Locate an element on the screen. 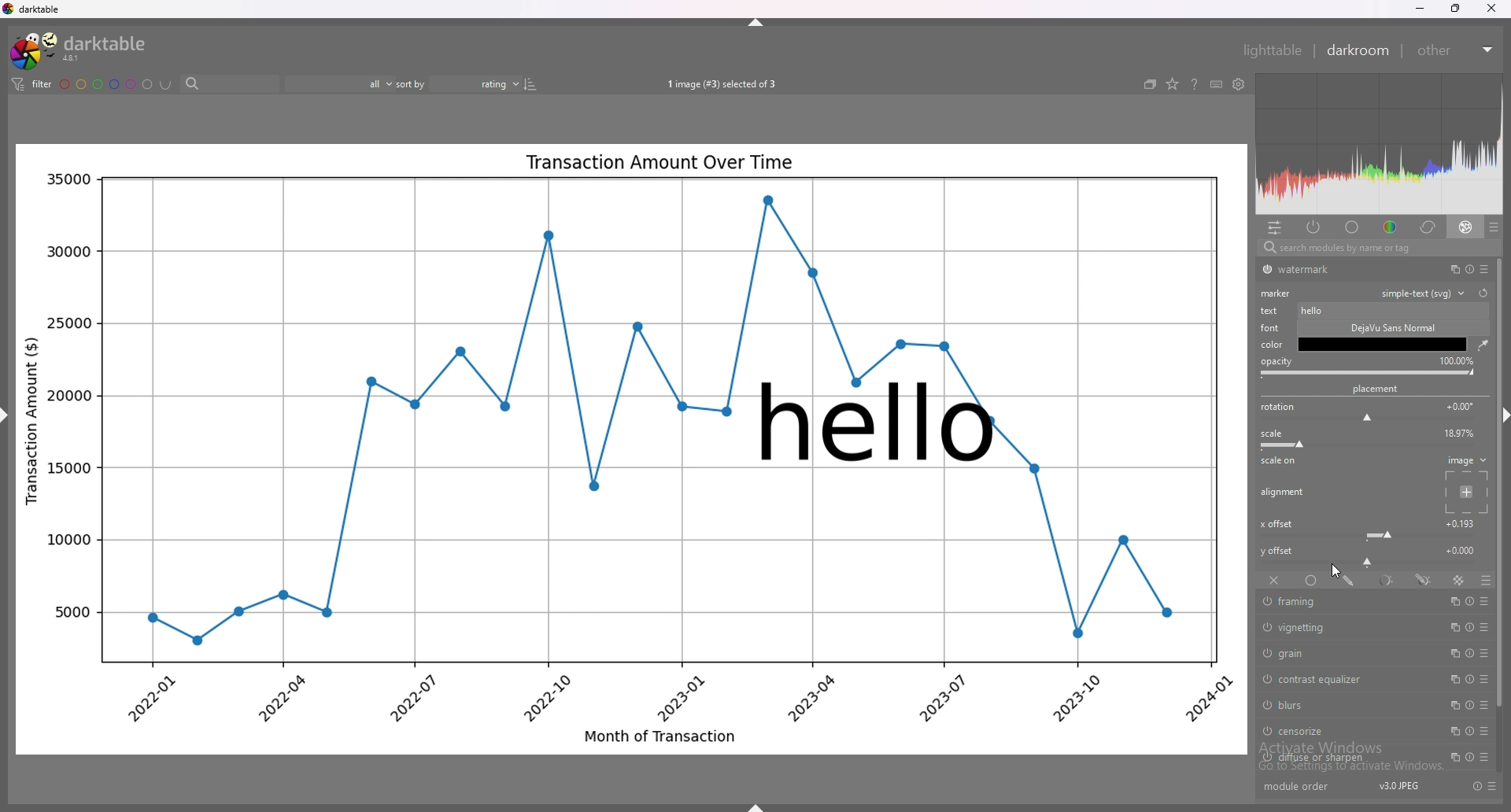  switch off is located at coordinates (1265, 652).